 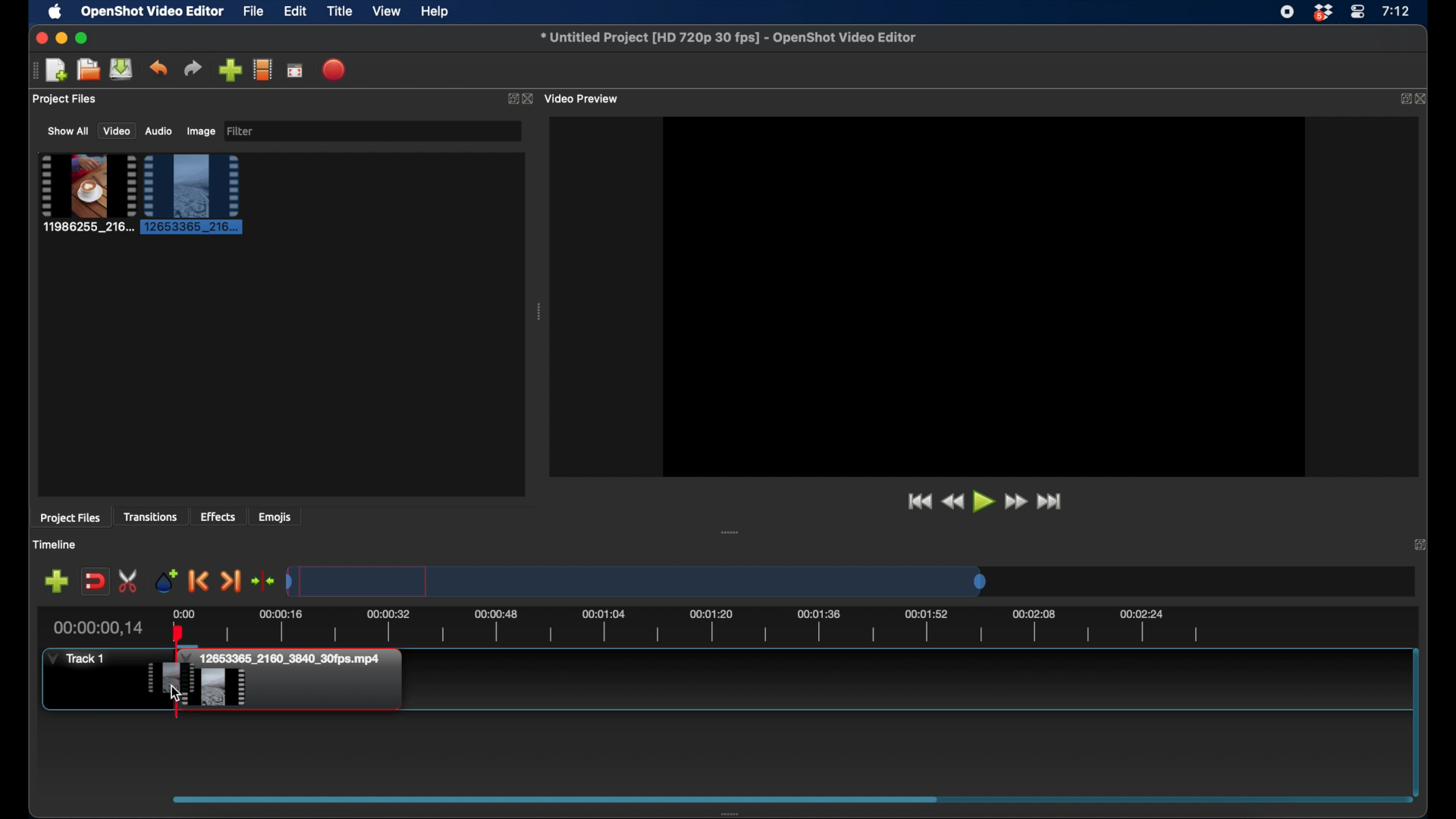 I want to click on new project, so click(x=56, y=71).